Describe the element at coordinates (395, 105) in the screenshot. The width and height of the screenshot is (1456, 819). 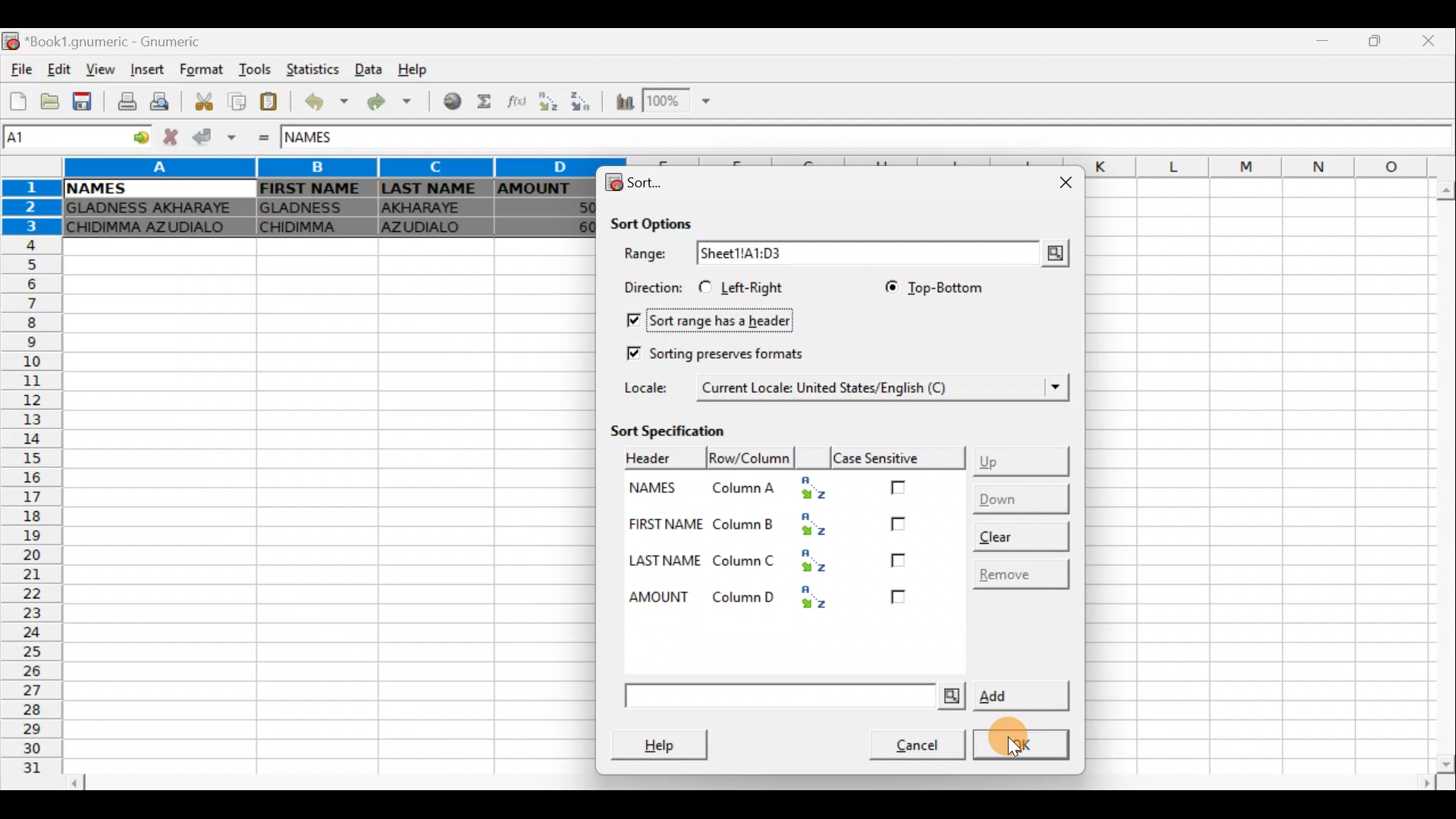
I see `Redo undone action` at that location.